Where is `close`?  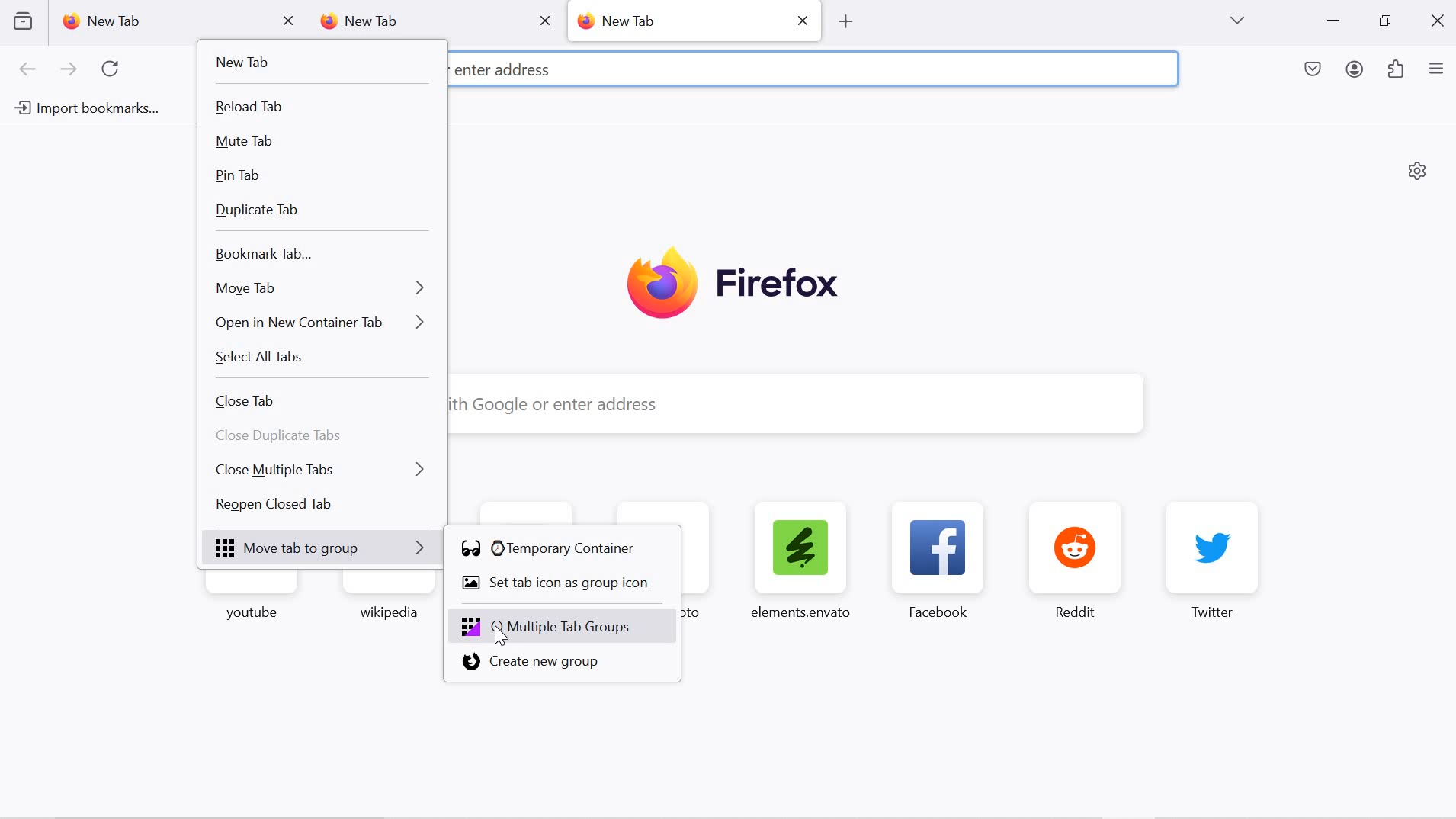 close is located at coordinates (805, 19).